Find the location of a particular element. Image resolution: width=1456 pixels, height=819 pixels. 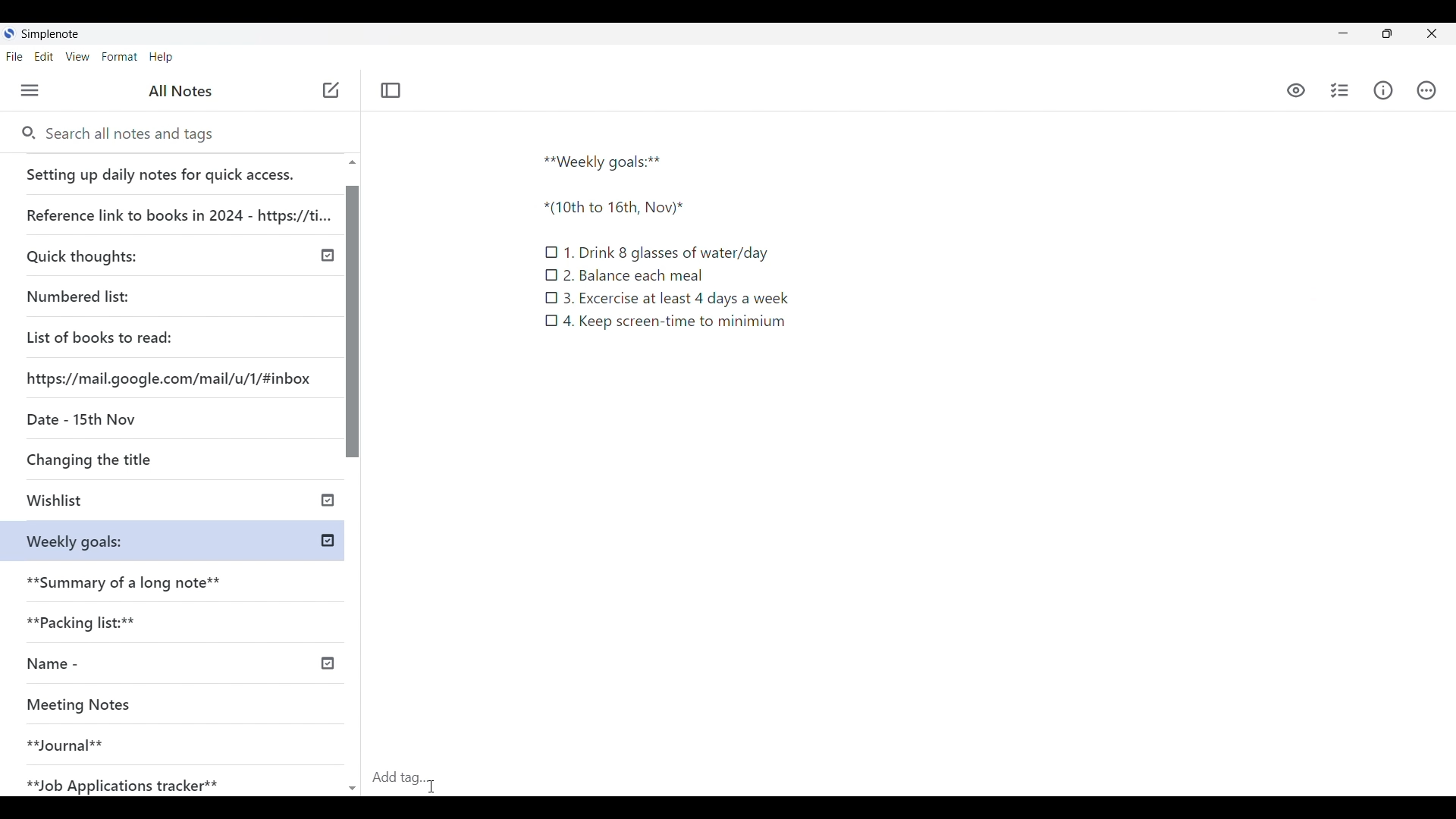

Meeting Notes is located at coordinates (153, 706).